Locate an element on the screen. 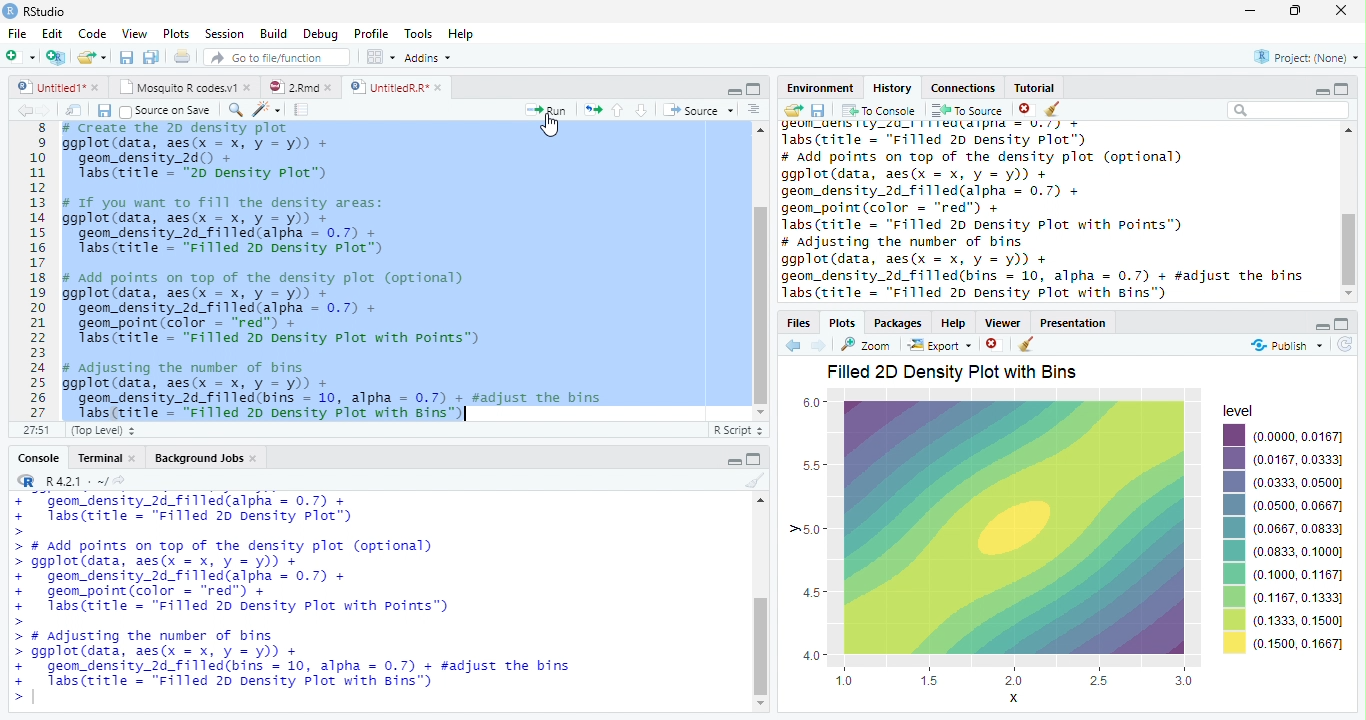 This screenshot has width=1366, height=720. Tutorial is located at coordinates (1036, 87).